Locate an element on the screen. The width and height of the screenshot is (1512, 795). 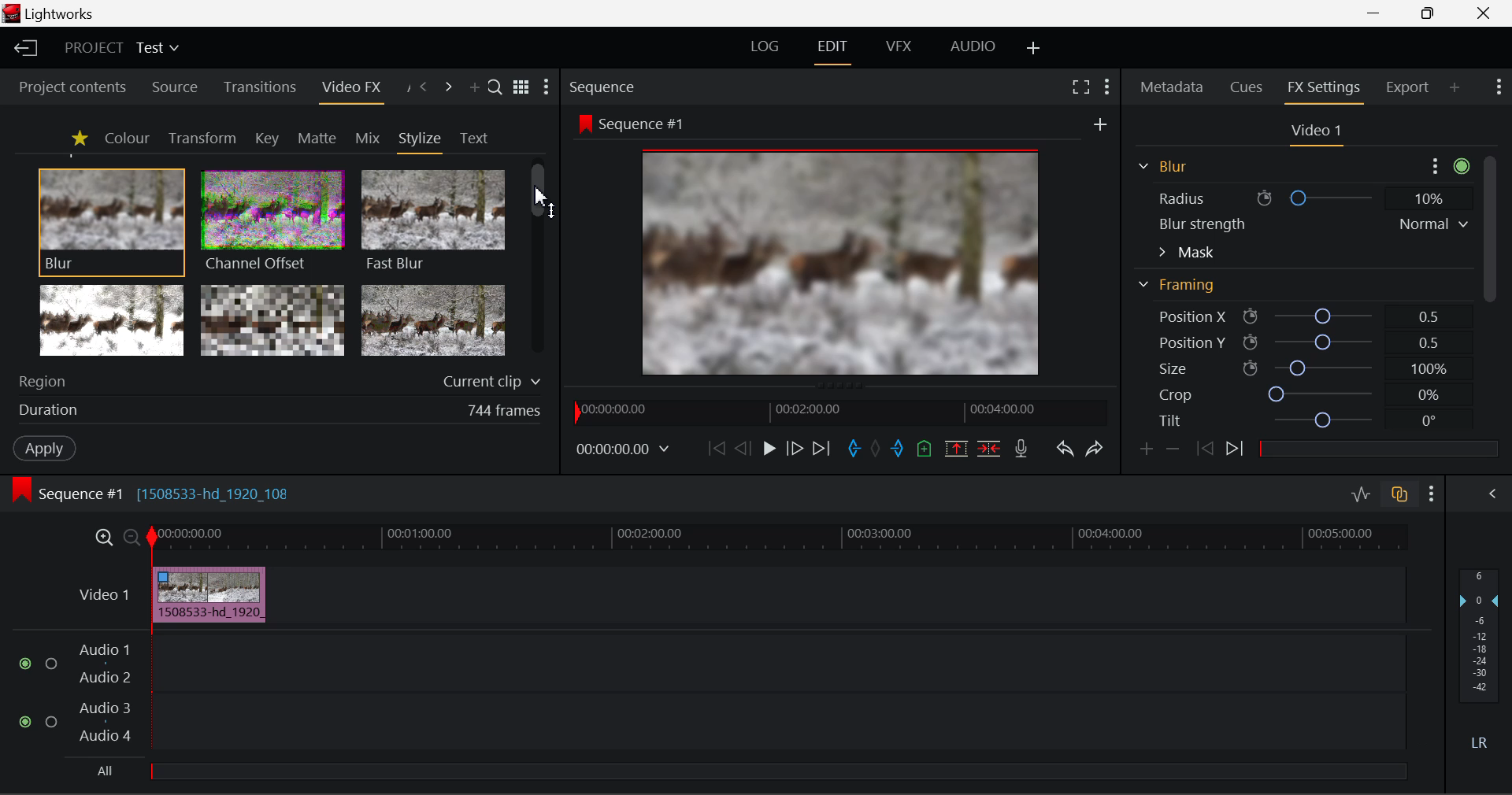
Go Forward is located at coordinates (795, 449).